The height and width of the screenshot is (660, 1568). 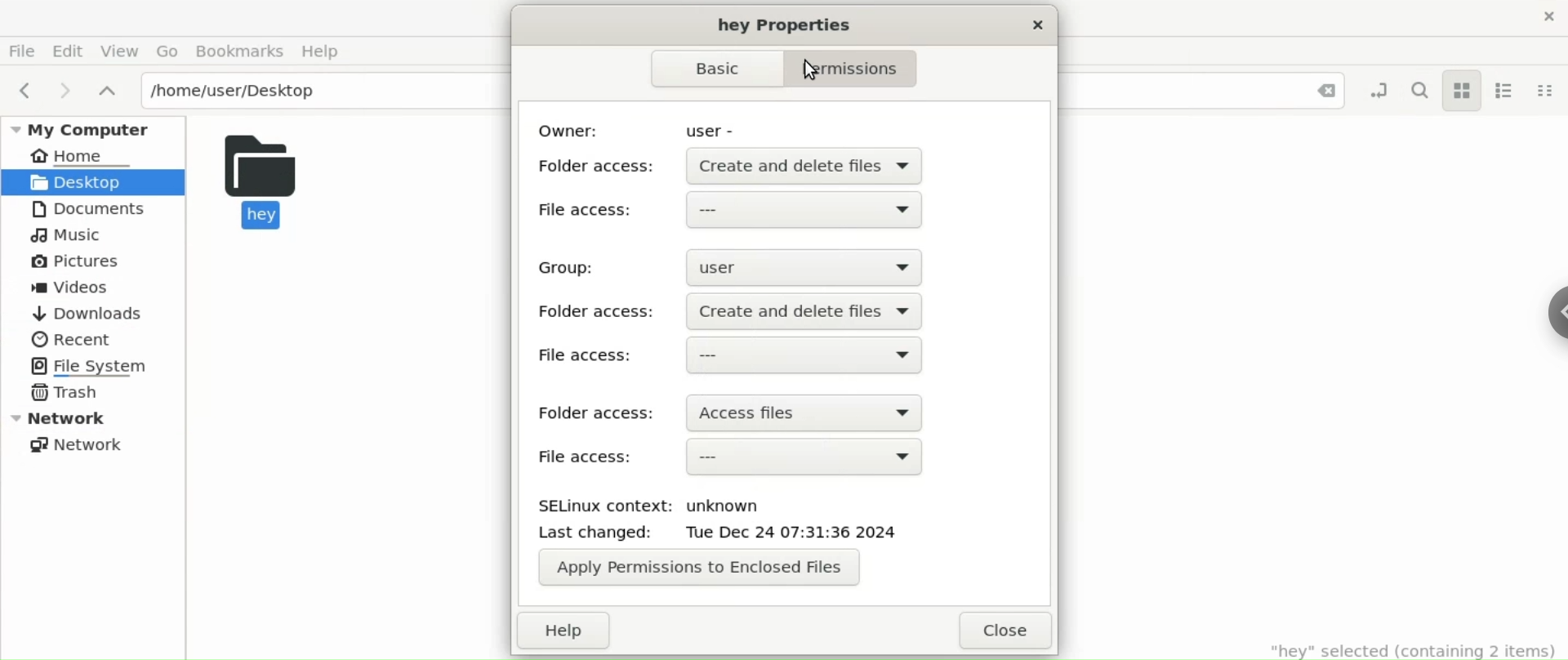 What do you see at coordinates (88, 366) in the screenshot?
I see `File System` at bounding box center [88, 366].